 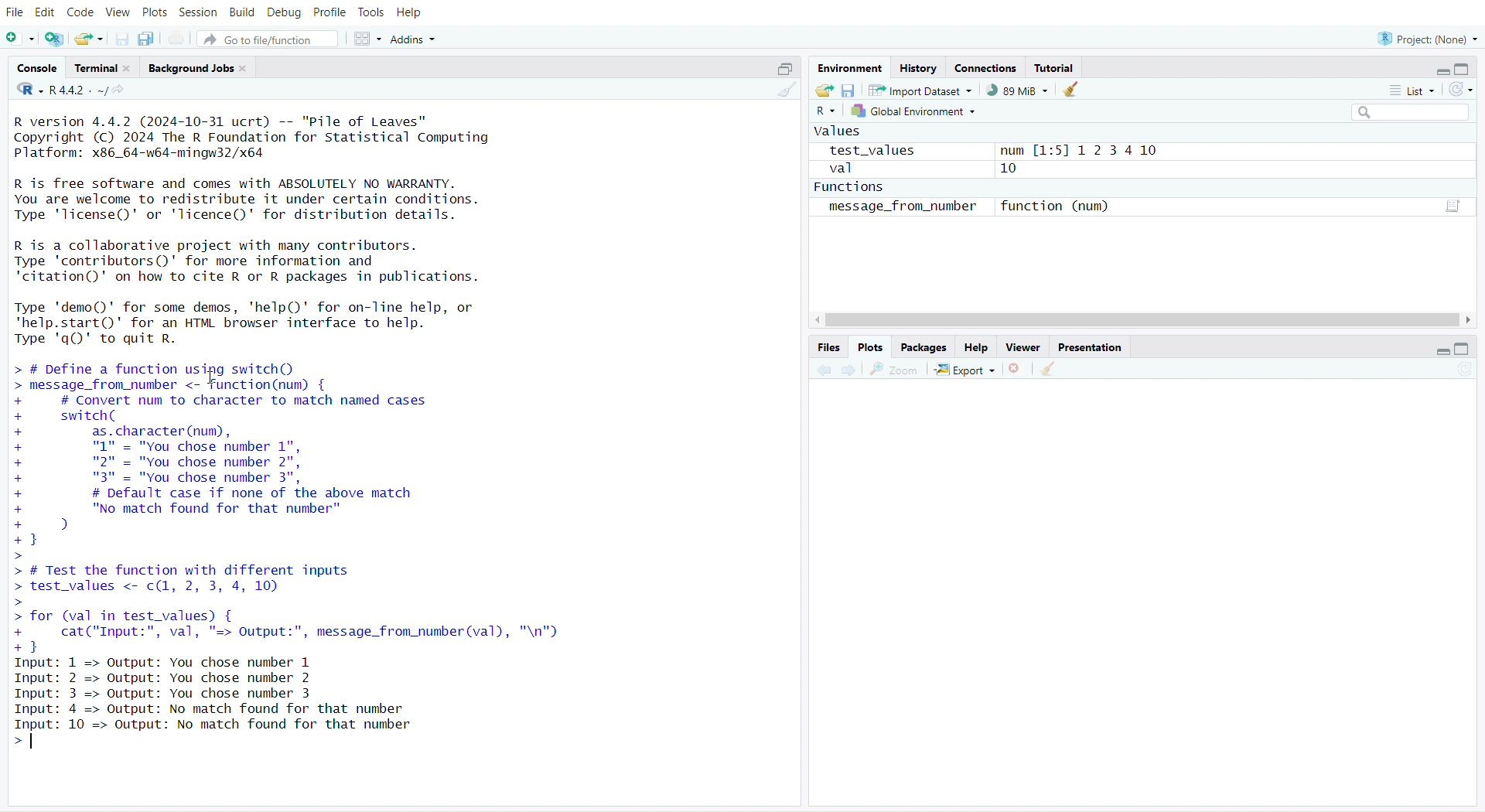 What do you see at coordinates (55, 39) in the screenshot?
I see `Create a project` at bounding box center [55, 39].